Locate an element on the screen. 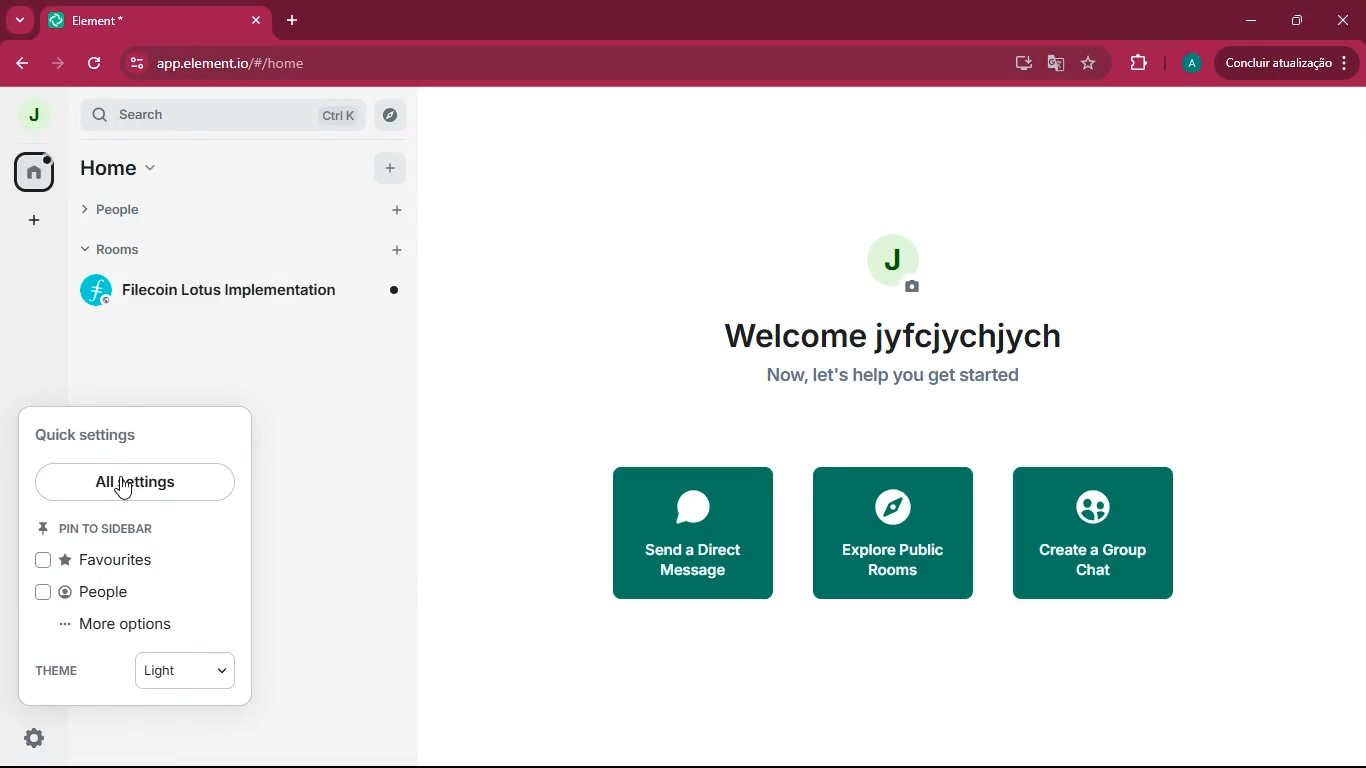 The image size is (1366, 768). people is located at coordinates (119, 591).